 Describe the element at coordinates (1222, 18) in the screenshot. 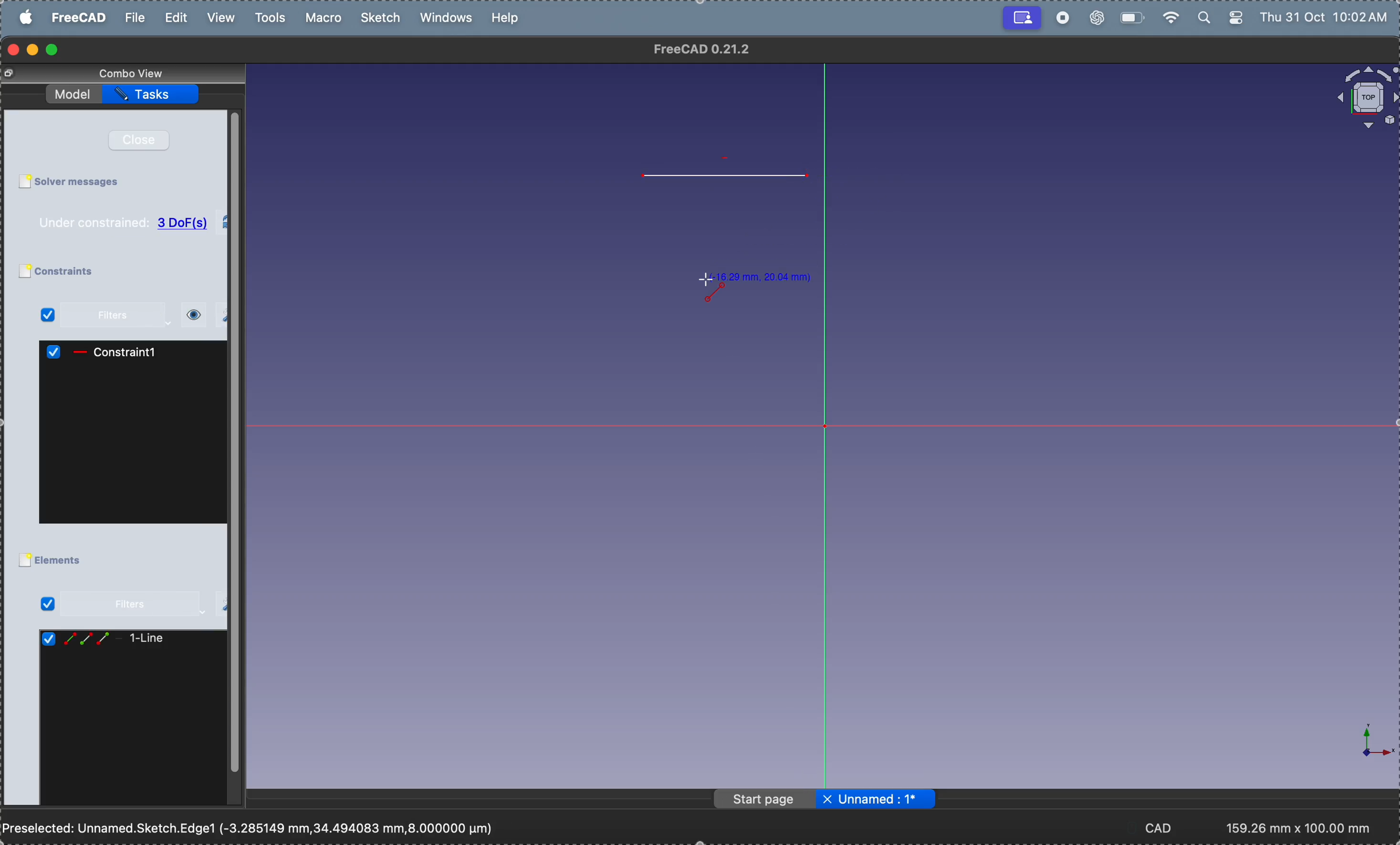

I see `apple widgets` at that location.